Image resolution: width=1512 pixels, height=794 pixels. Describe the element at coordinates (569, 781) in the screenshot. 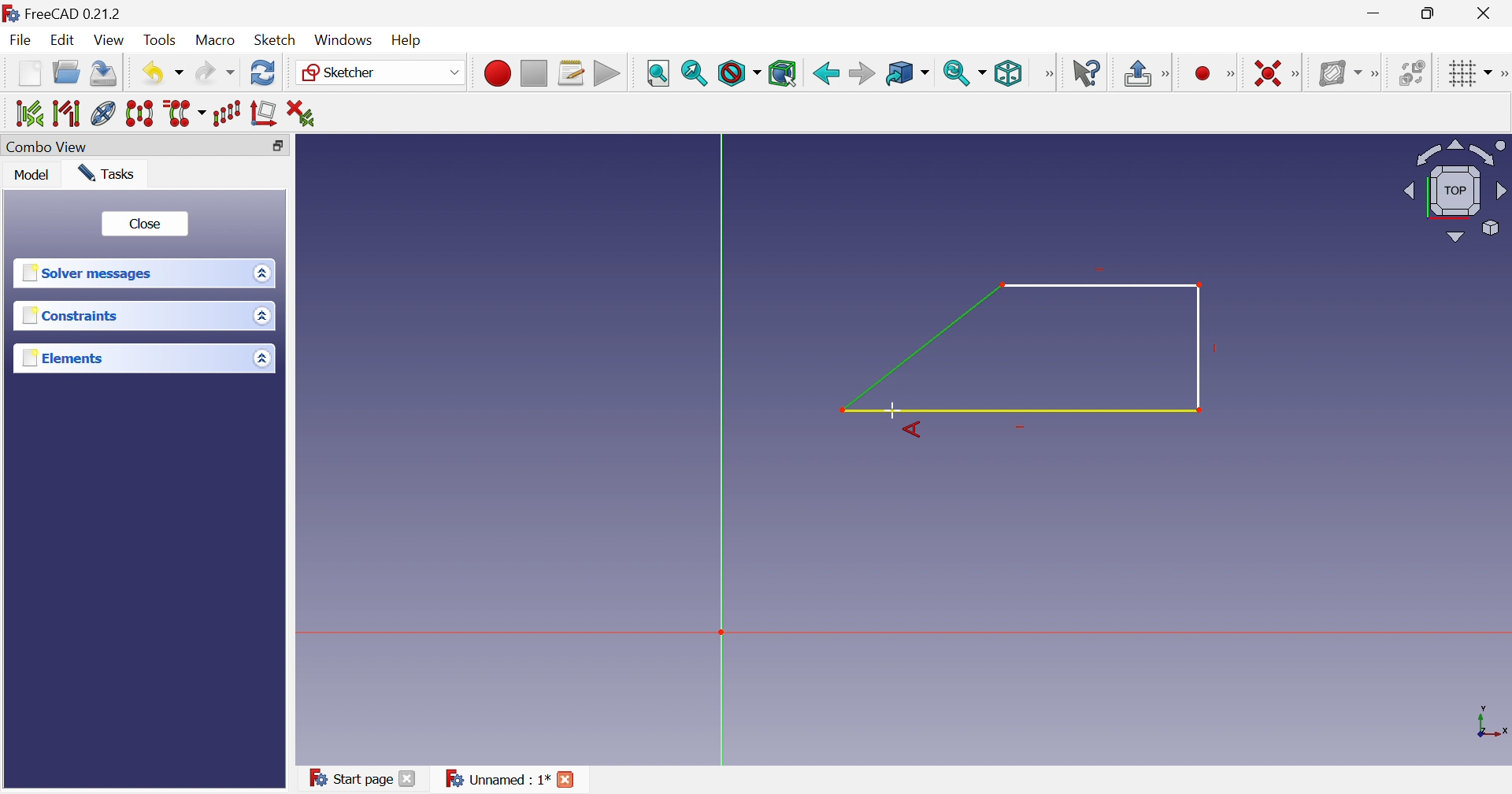

I see `Close` at that location.